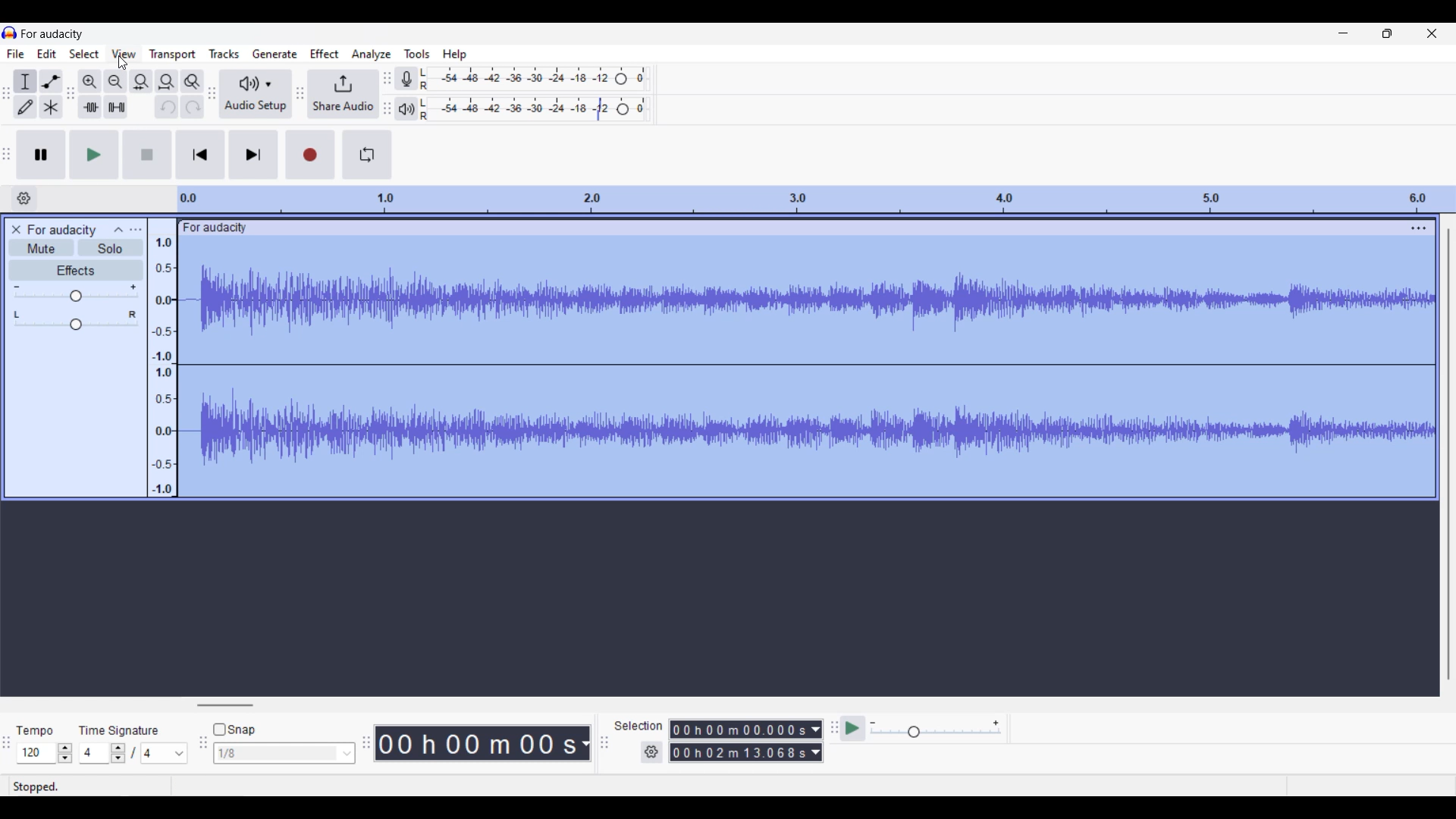 This screenshot has height=819, width=1456. I want to click on Scale to measure length of track, so click(817, 199).